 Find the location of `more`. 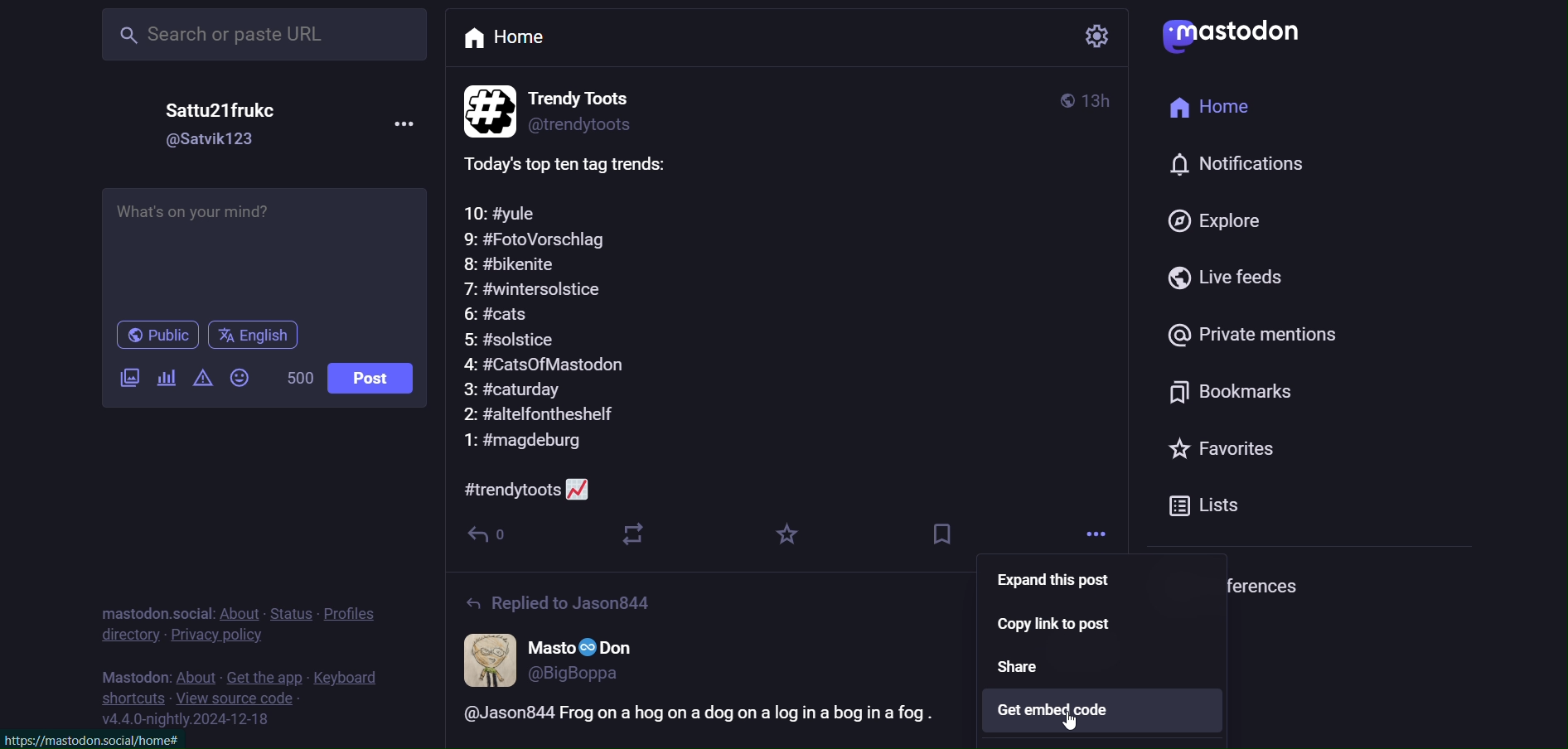

more is located at coordinates (1089, 531).